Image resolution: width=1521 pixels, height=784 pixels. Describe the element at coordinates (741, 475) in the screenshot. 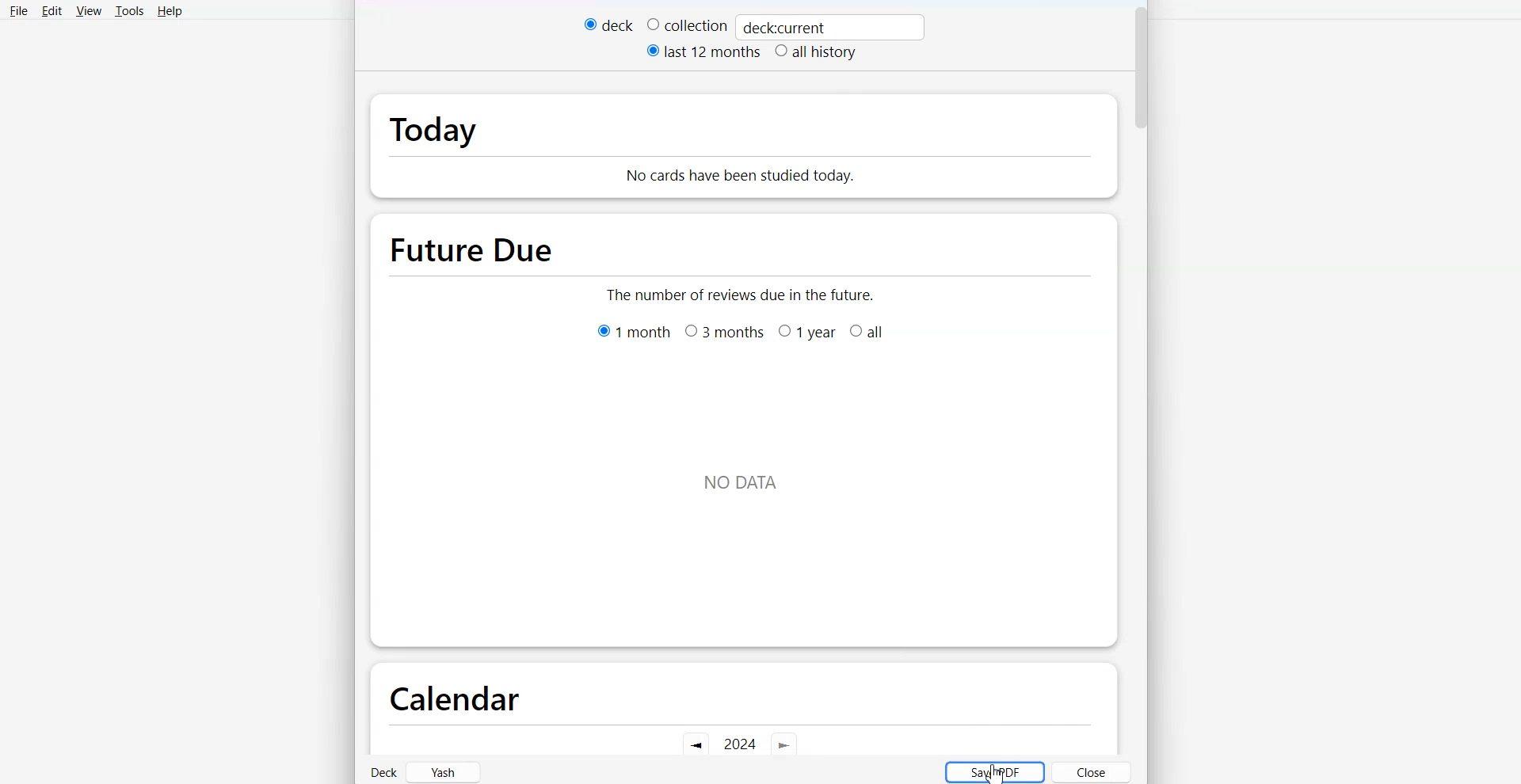

I see `NO DATA` at that location.